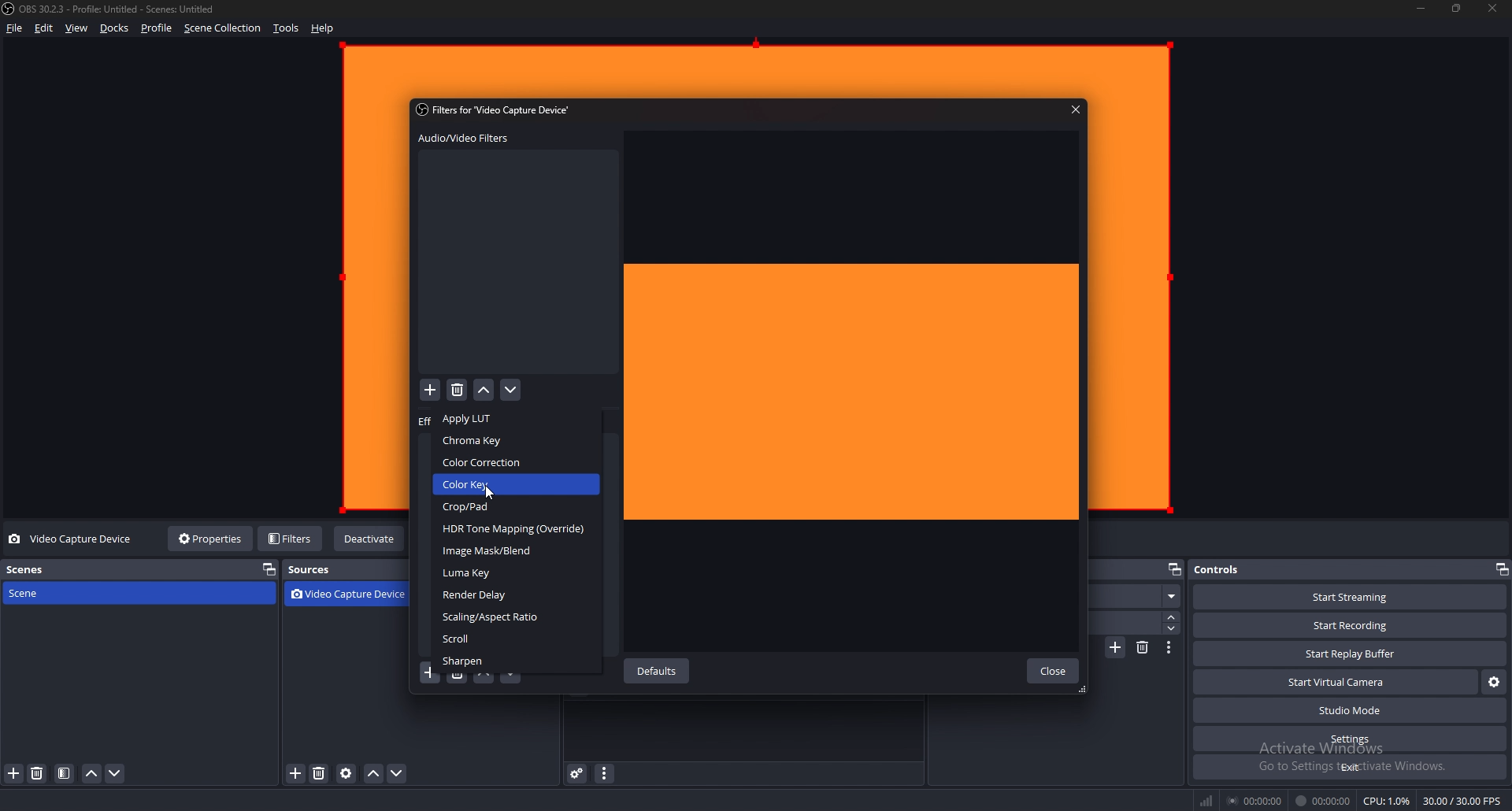 Image resolution: width=1512 pixels, height=811 pixels. I want to click on properties, so click(213, 538).